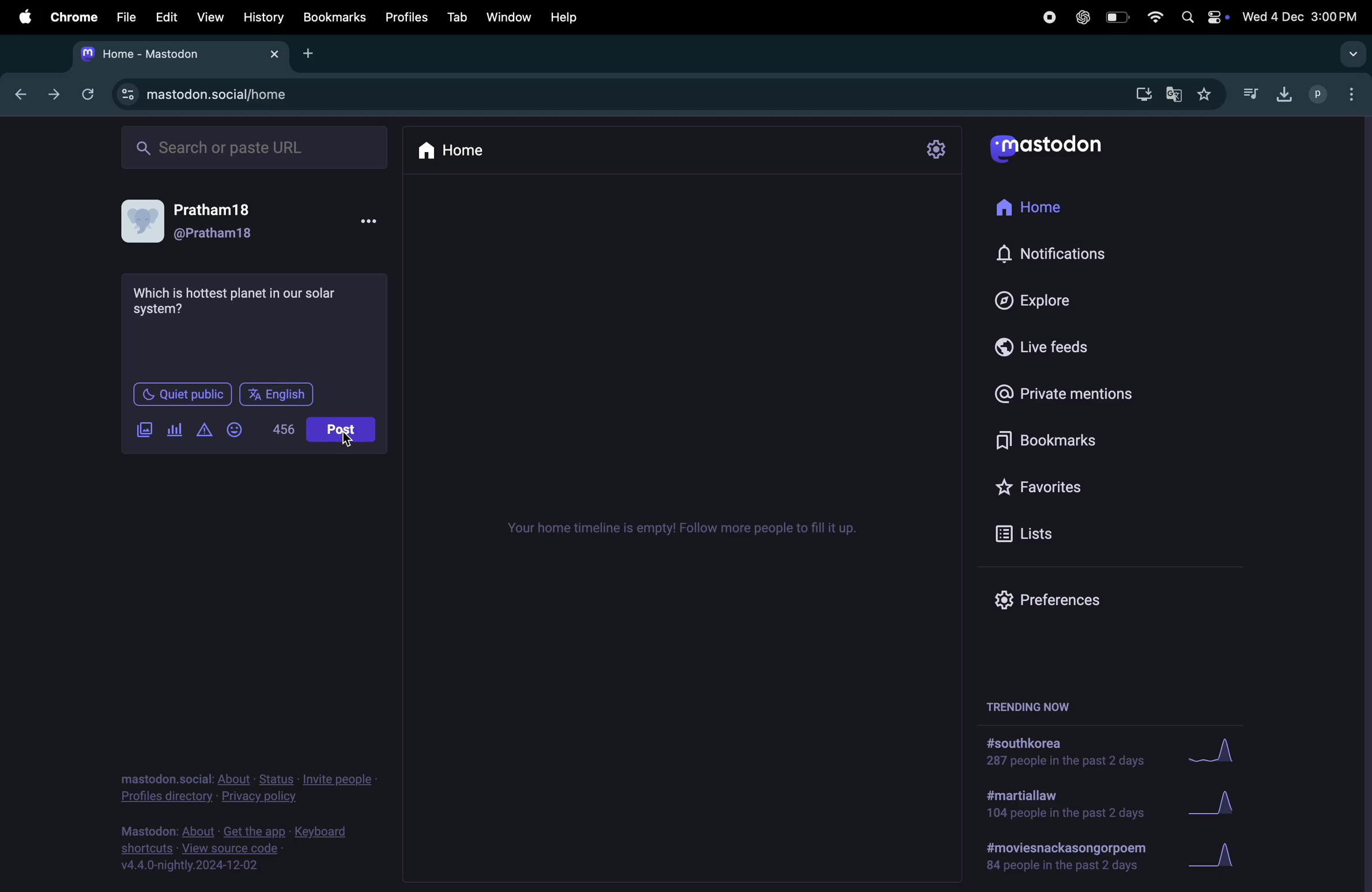 The image size is (1372, 892). What do you see at coordinates (405, 17) in the screenshot?
I see `profiles` at bounding box center [405, 17].